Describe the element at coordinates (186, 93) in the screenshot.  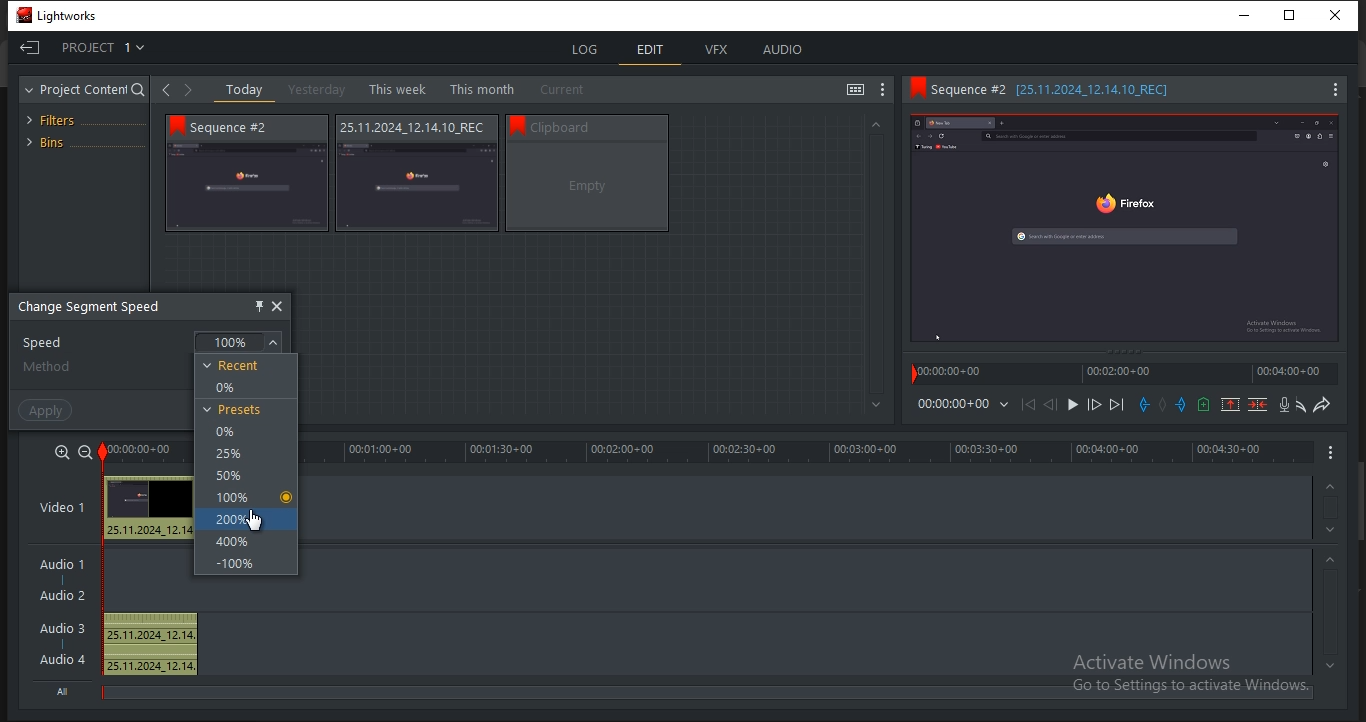
I see `Forward` at that location.